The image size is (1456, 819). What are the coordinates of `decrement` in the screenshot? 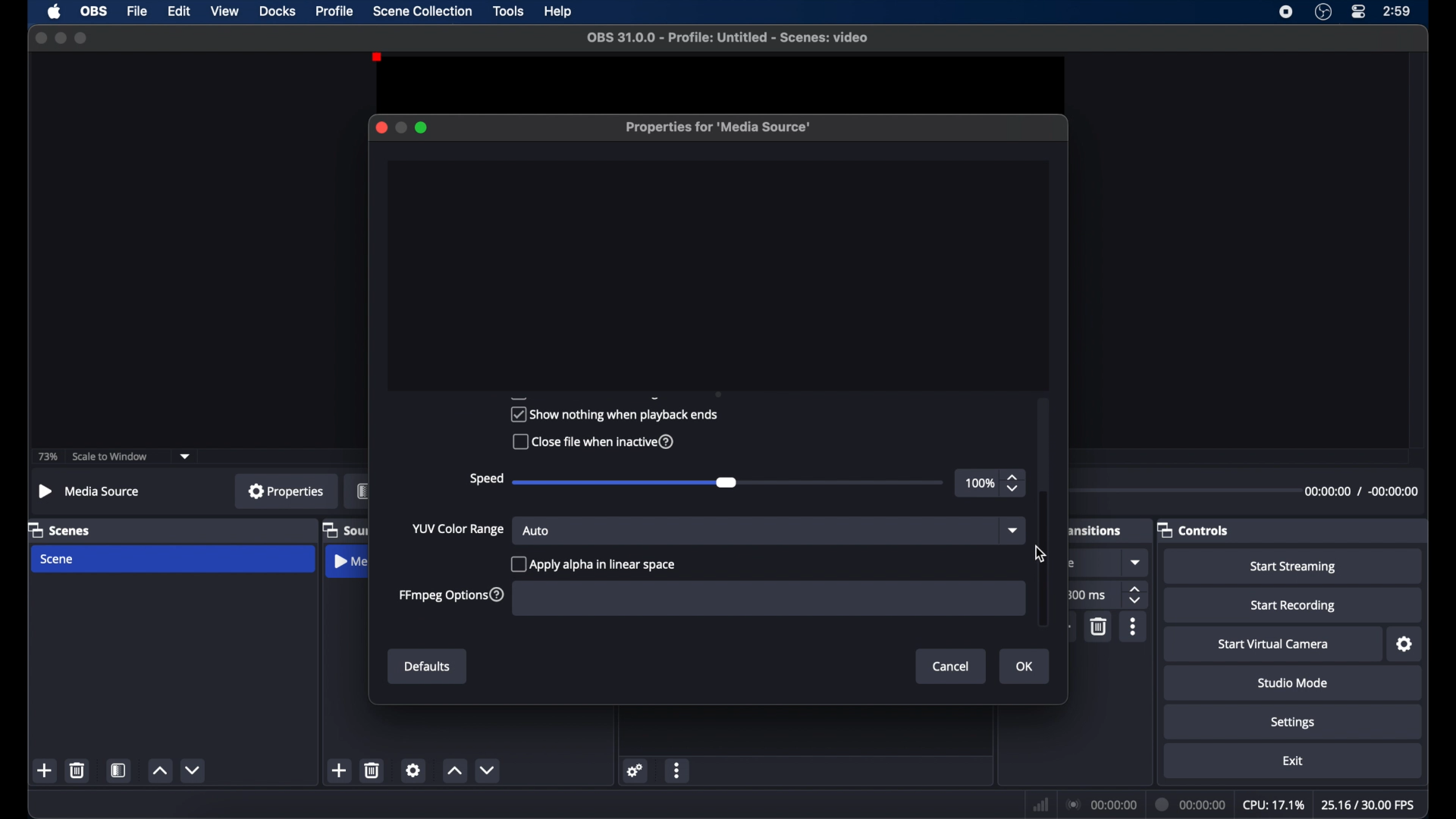 It's located at (194, 770).